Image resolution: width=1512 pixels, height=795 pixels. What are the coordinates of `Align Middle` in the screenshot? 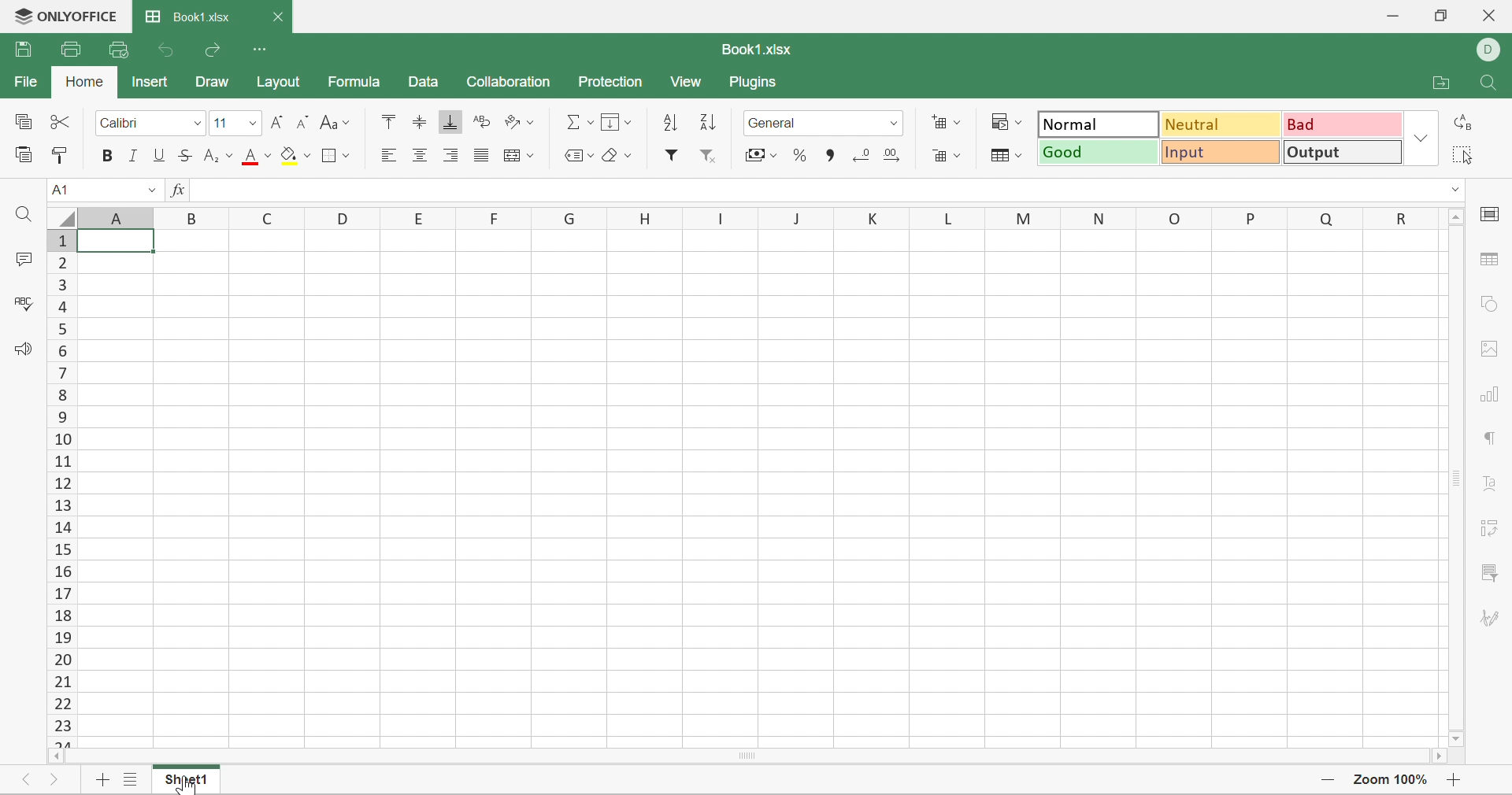 It's located at (421, 124).